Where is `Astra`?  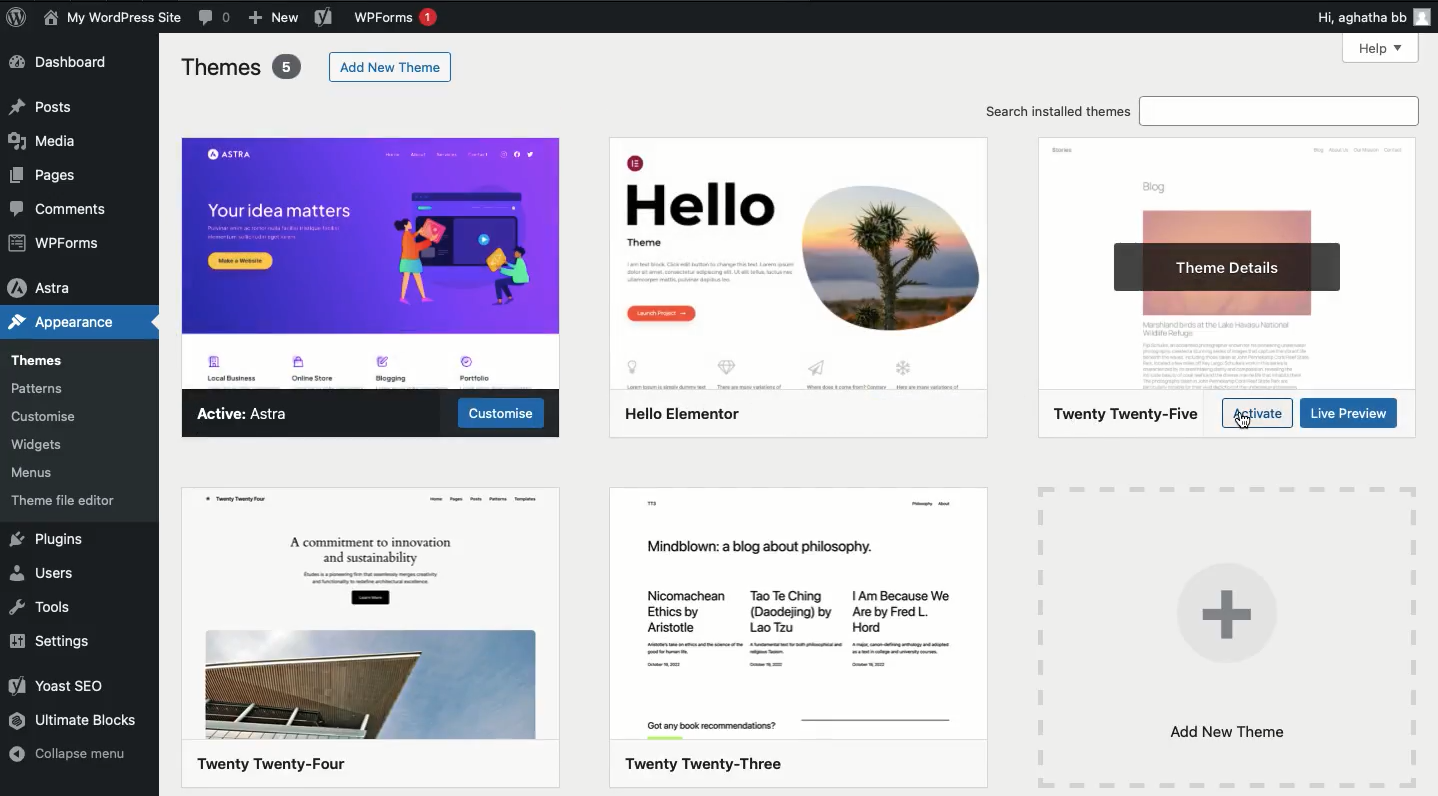
Astra is located at coordinates (368, 262).